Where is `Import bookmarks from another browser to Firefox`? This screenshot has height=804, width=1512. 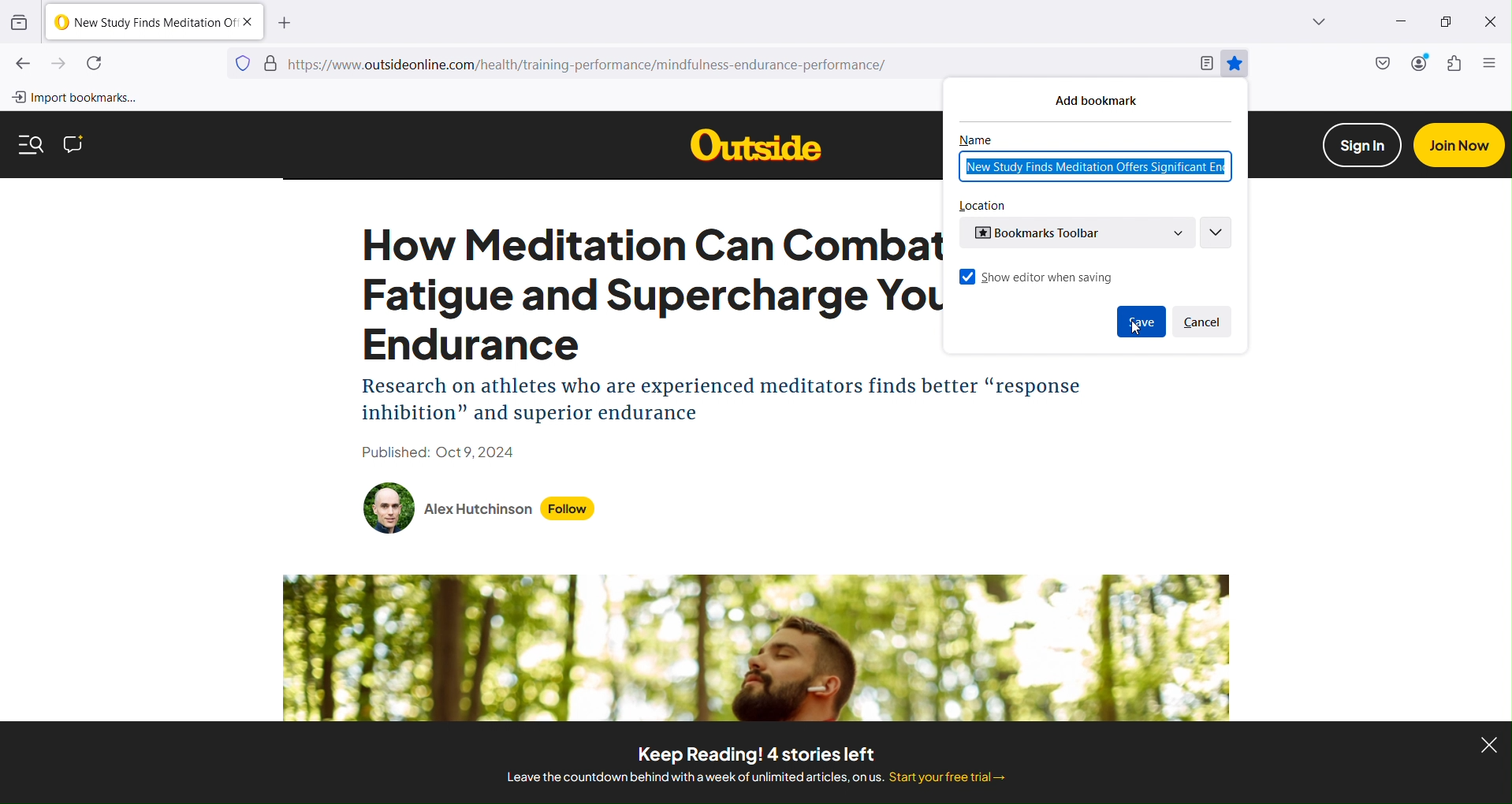 Import bookmarks from another browser to Firefox is located at coordinates (81, 98).